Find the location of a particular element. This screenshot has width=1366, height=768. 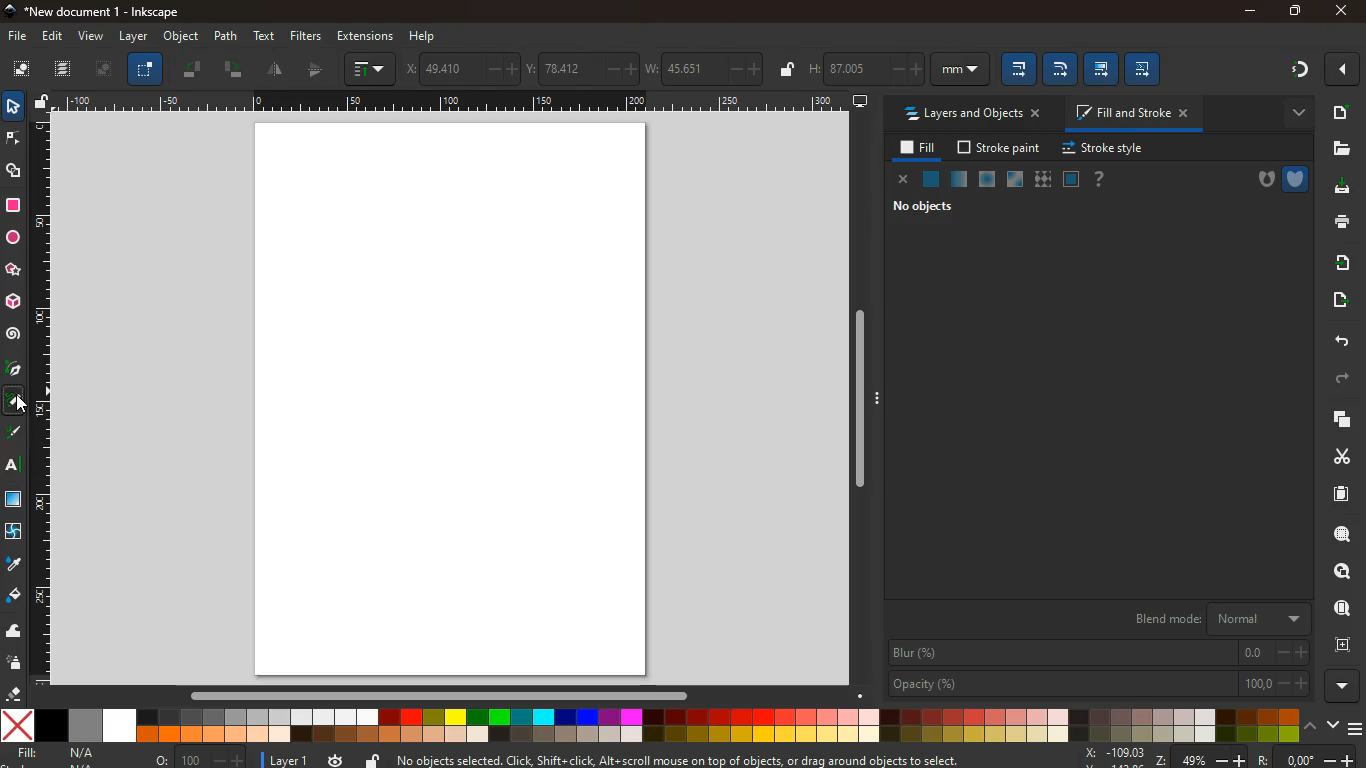

filters is located at coordinates (306, 36).